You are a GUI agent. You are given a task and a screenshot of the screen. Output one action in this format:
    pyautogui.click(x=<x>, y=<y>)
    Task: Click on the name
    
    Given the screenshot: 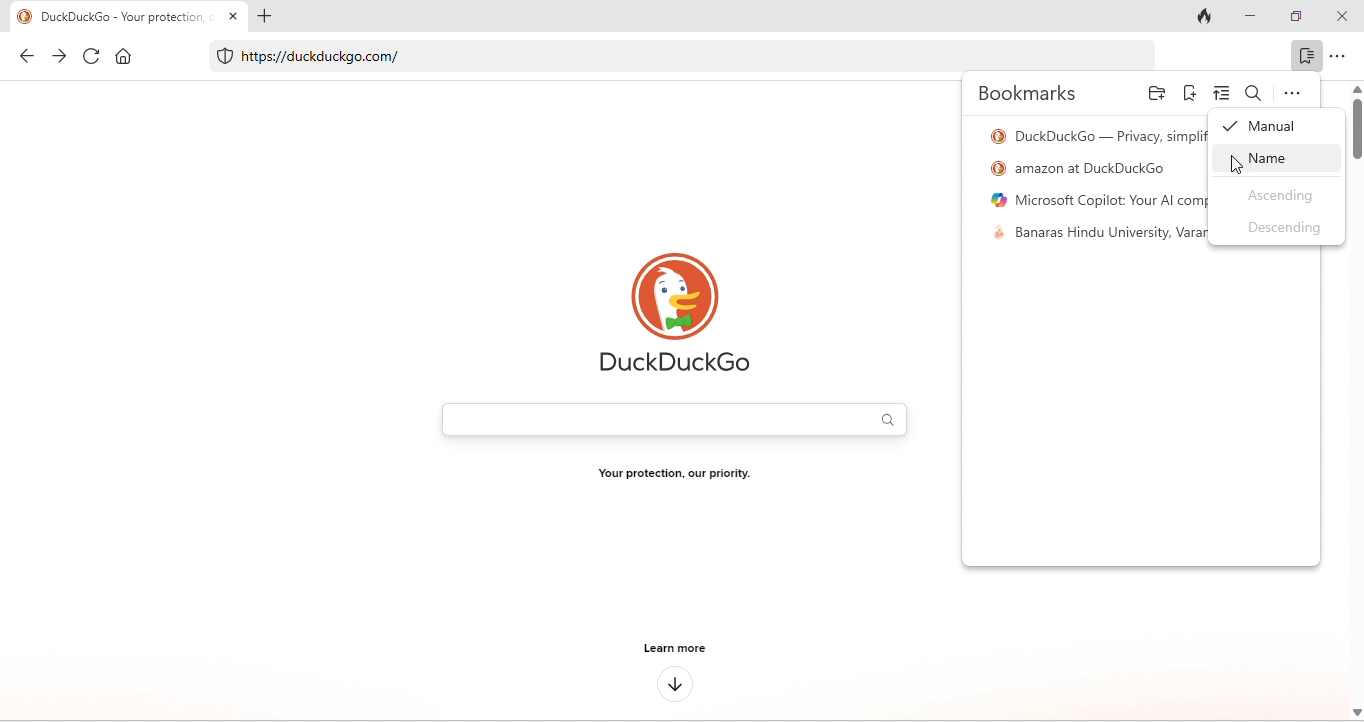 What is the action you would take?
    pyautogui.click(x=1274, y=161)
    